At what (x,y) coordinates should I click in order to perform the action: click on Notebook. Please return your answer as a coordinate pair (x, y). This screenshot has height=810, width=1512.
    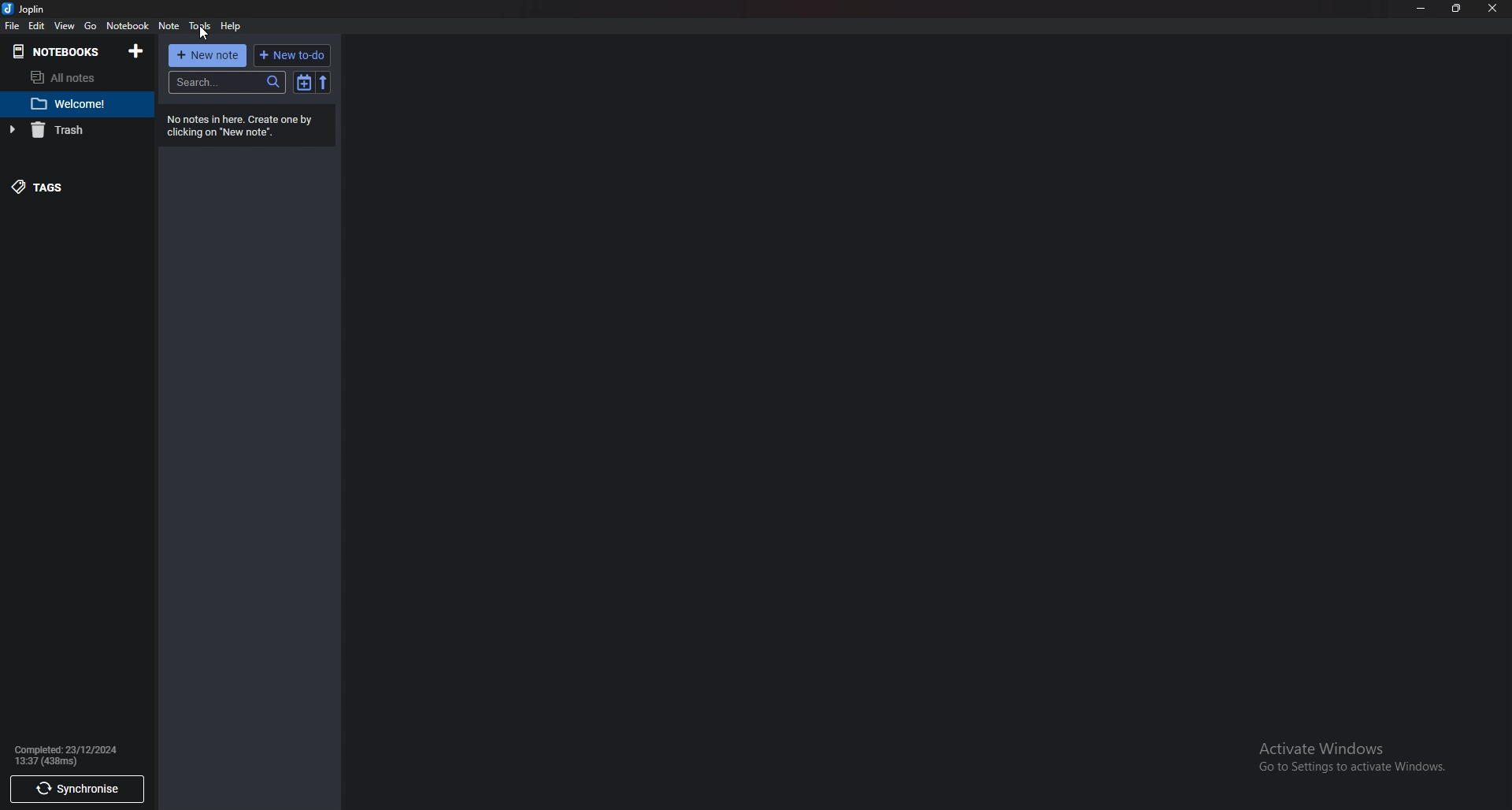
    Looking at the image, I should click on (60, 51).